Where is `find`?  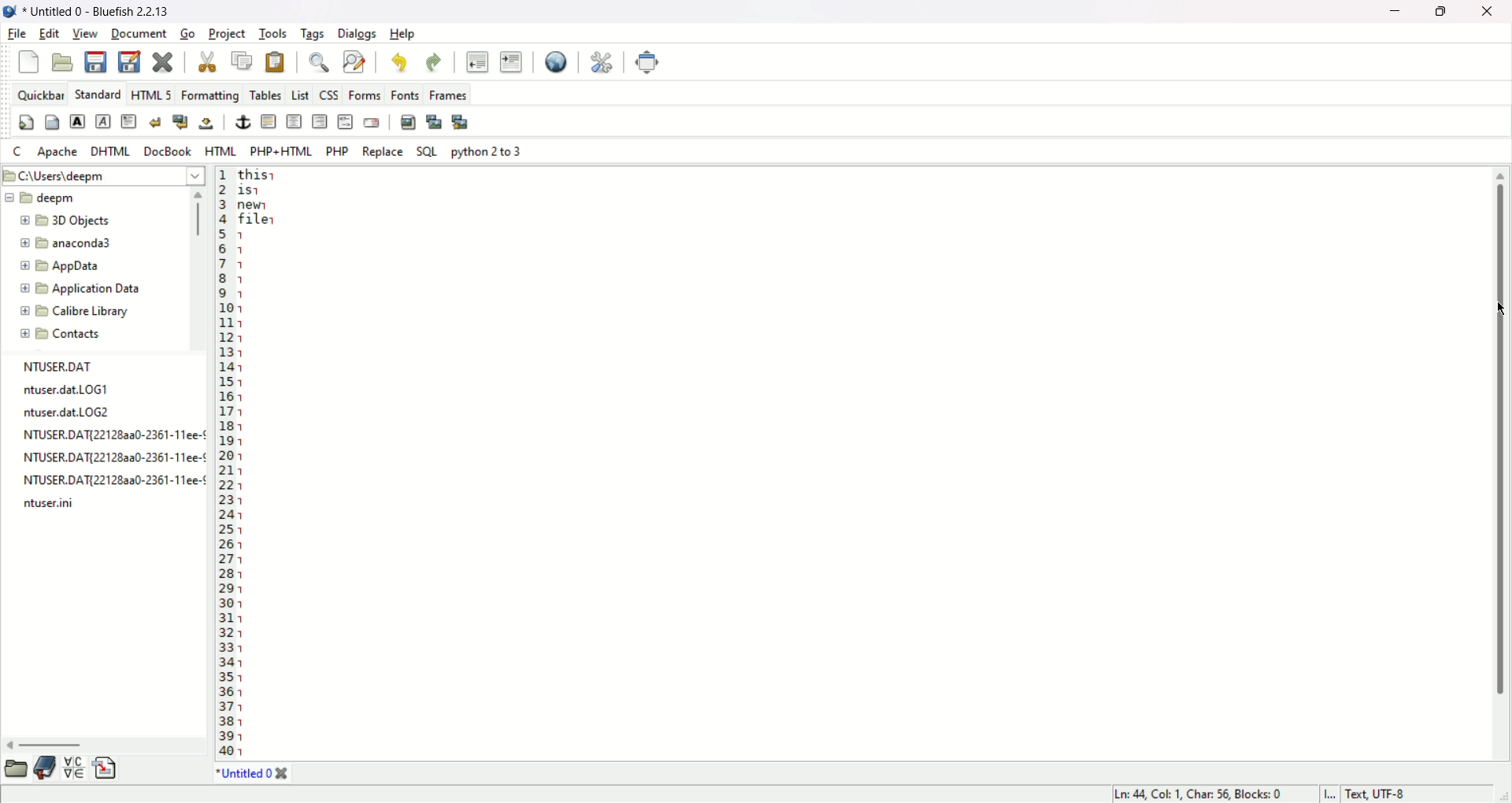
find is located at coordinates (316, 64).